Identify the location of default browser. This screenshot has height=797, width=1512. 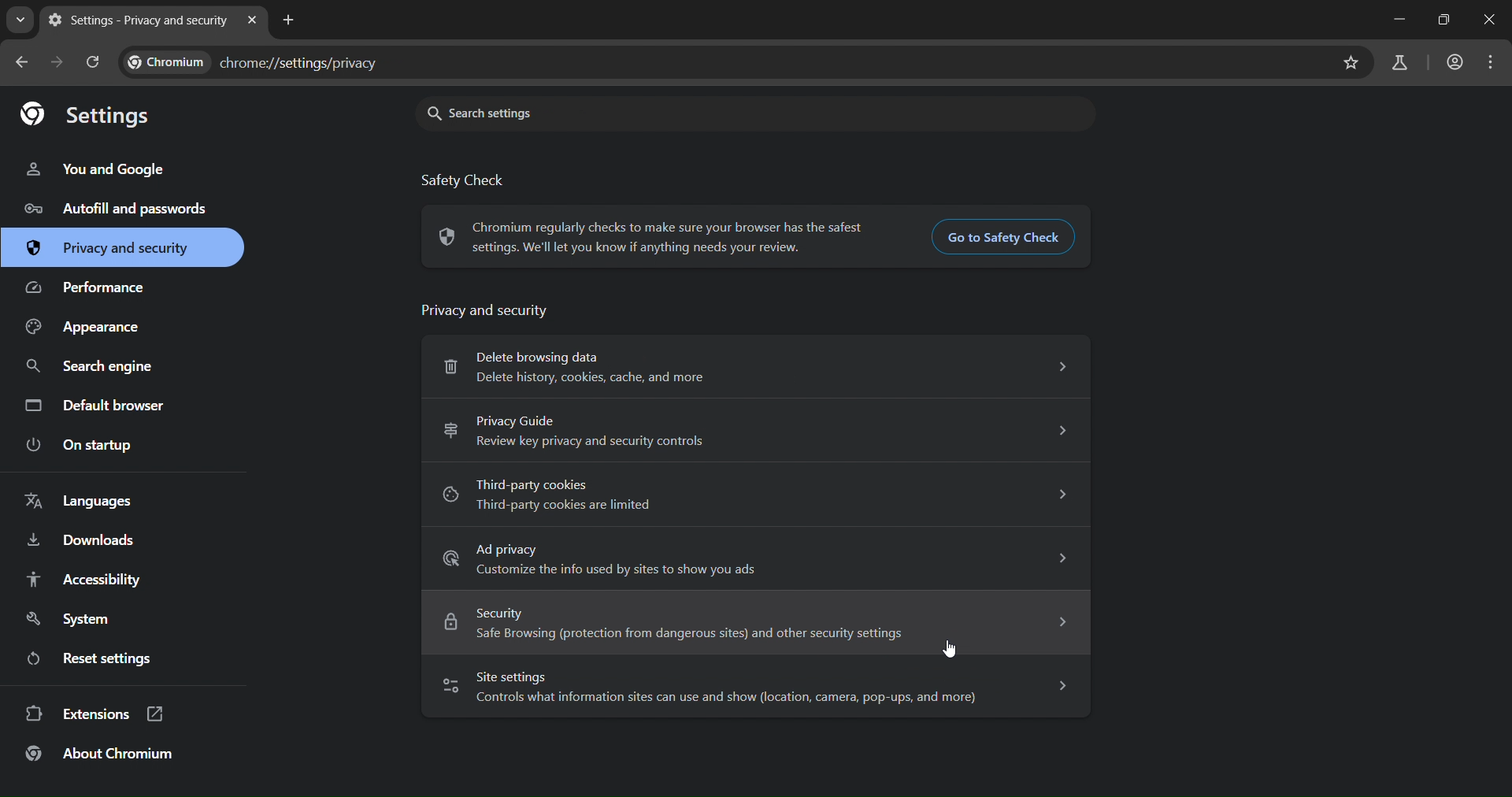
(98, 404).